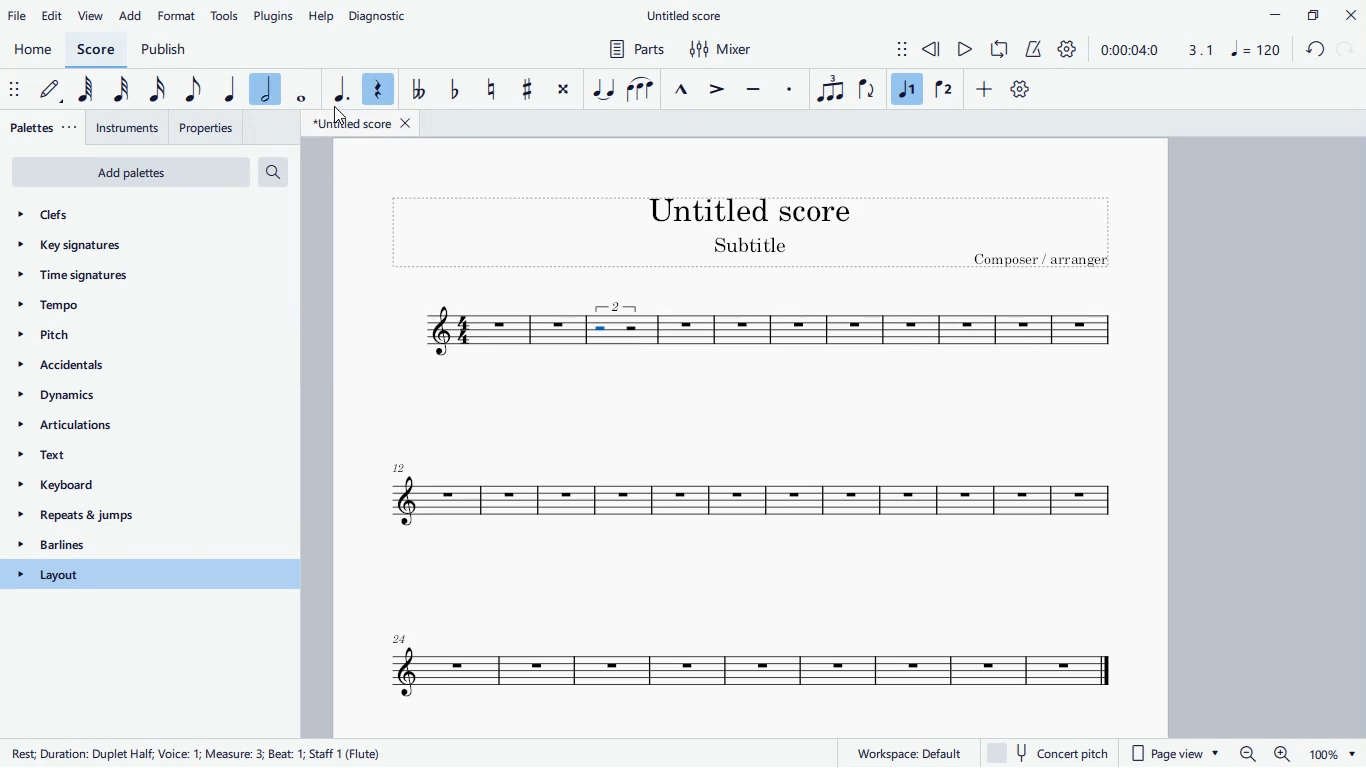  Describe the element at coordinates (896, 331) in the screenshot. I see `score` at that location.